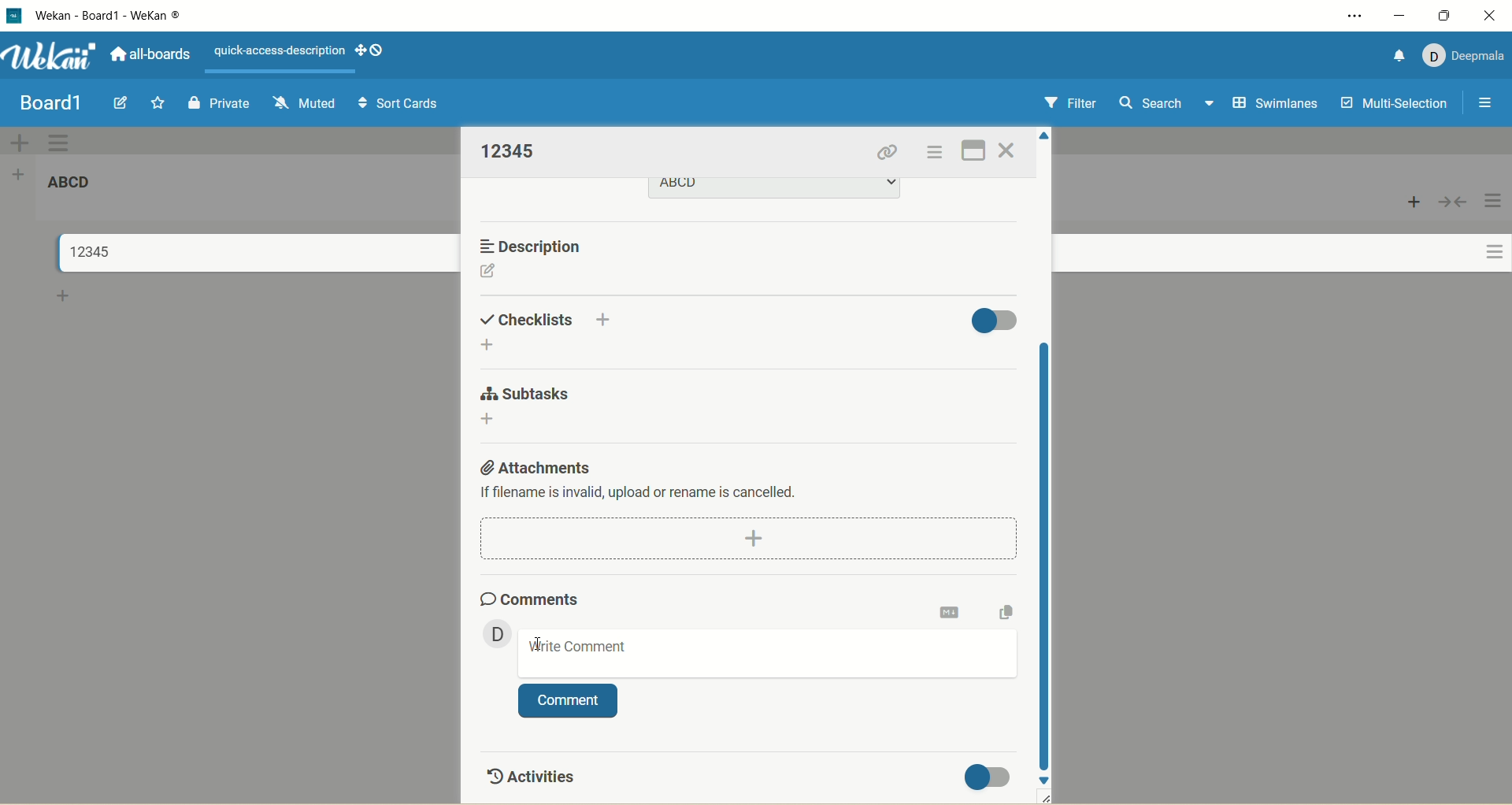  Describe the element at coordinates (528, 773) in the screenshot. I see `activities` at that location.